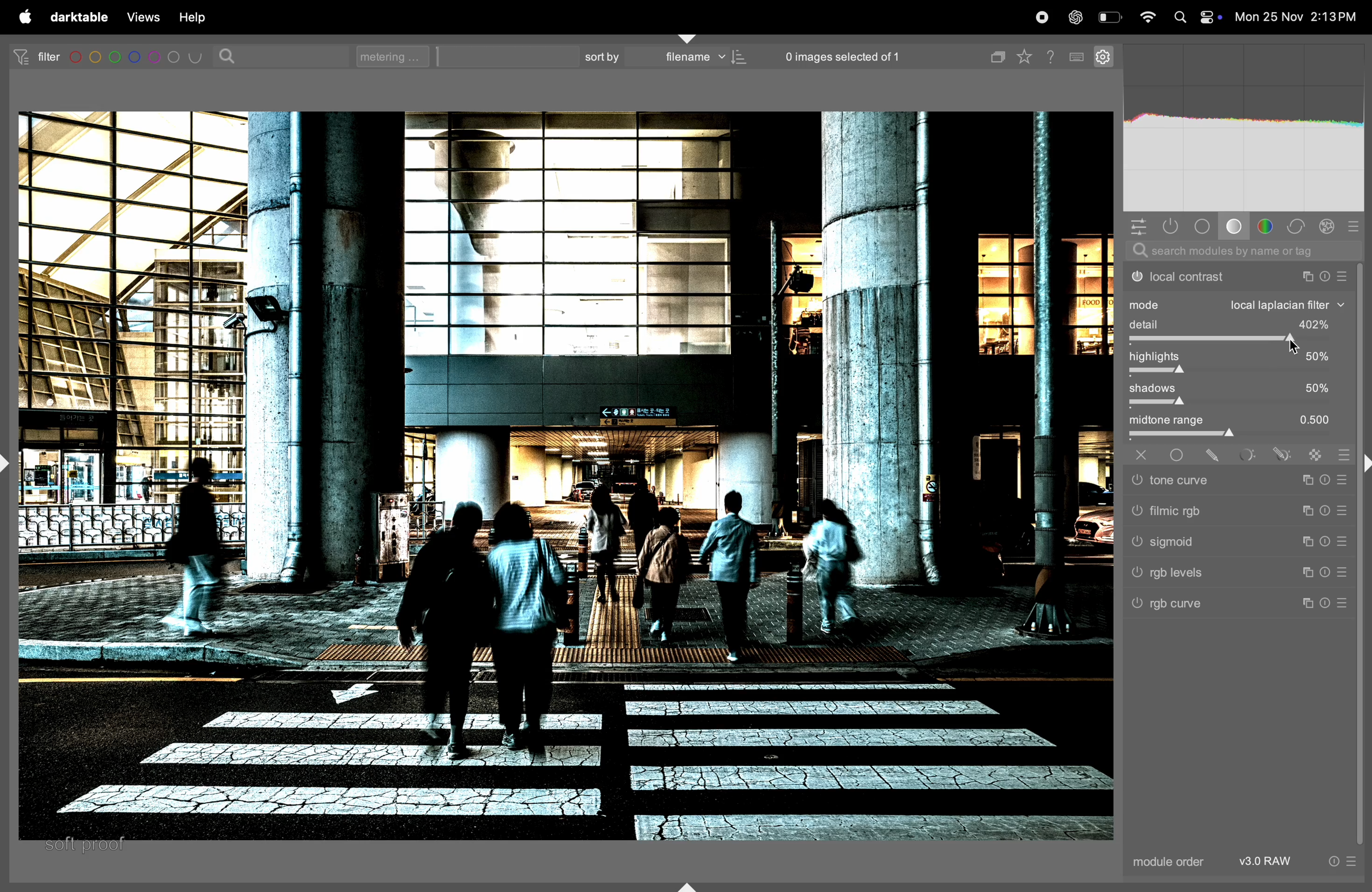 This screenshot has height=892, width=1372. Describe the element at coordinates (1148, 19) in the screenshot. I see `wifi` at that location.